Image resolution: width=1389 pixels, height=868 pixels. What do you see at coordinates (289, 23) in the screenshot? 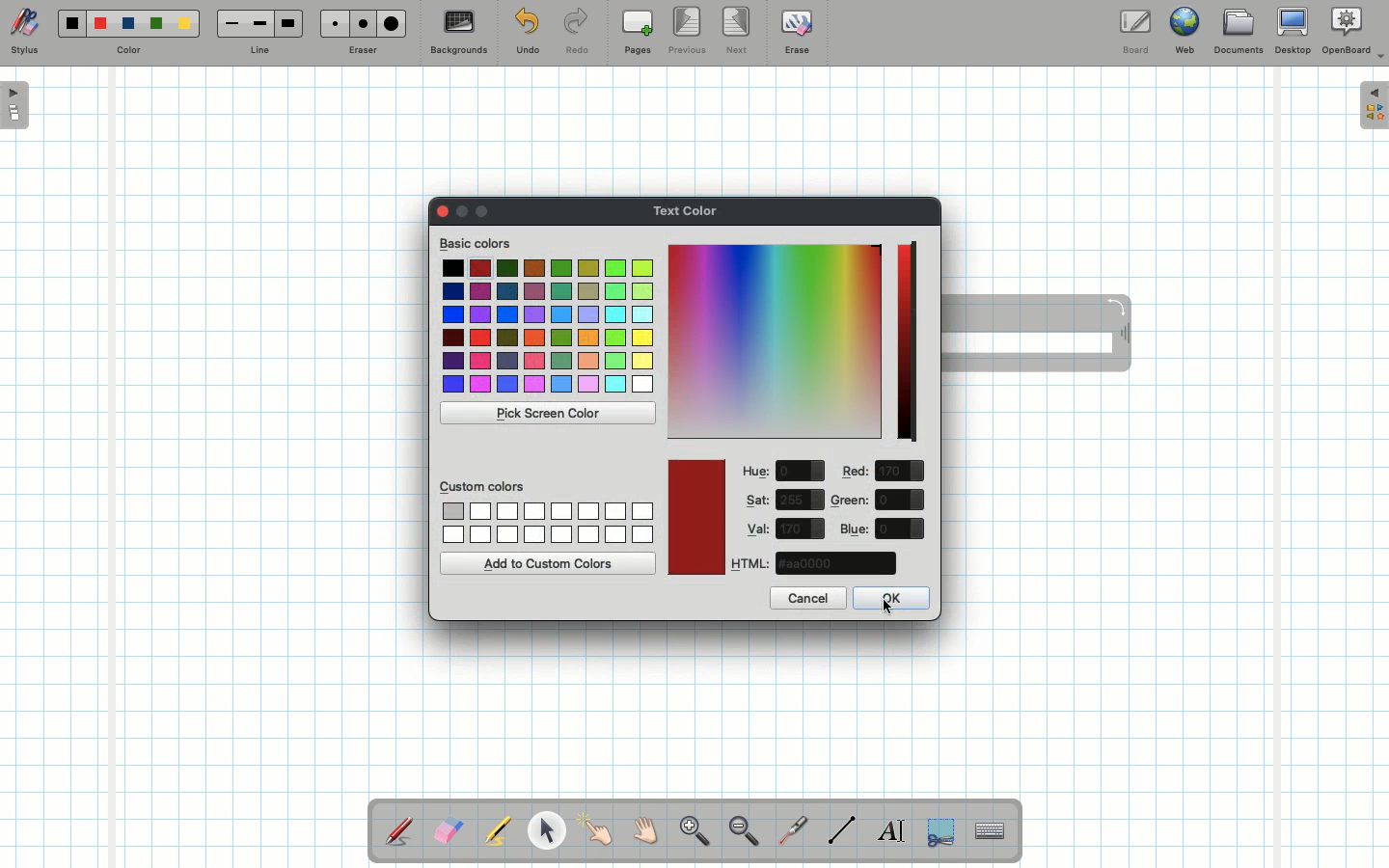
I see `Large line` at bounding box center [289, 23].